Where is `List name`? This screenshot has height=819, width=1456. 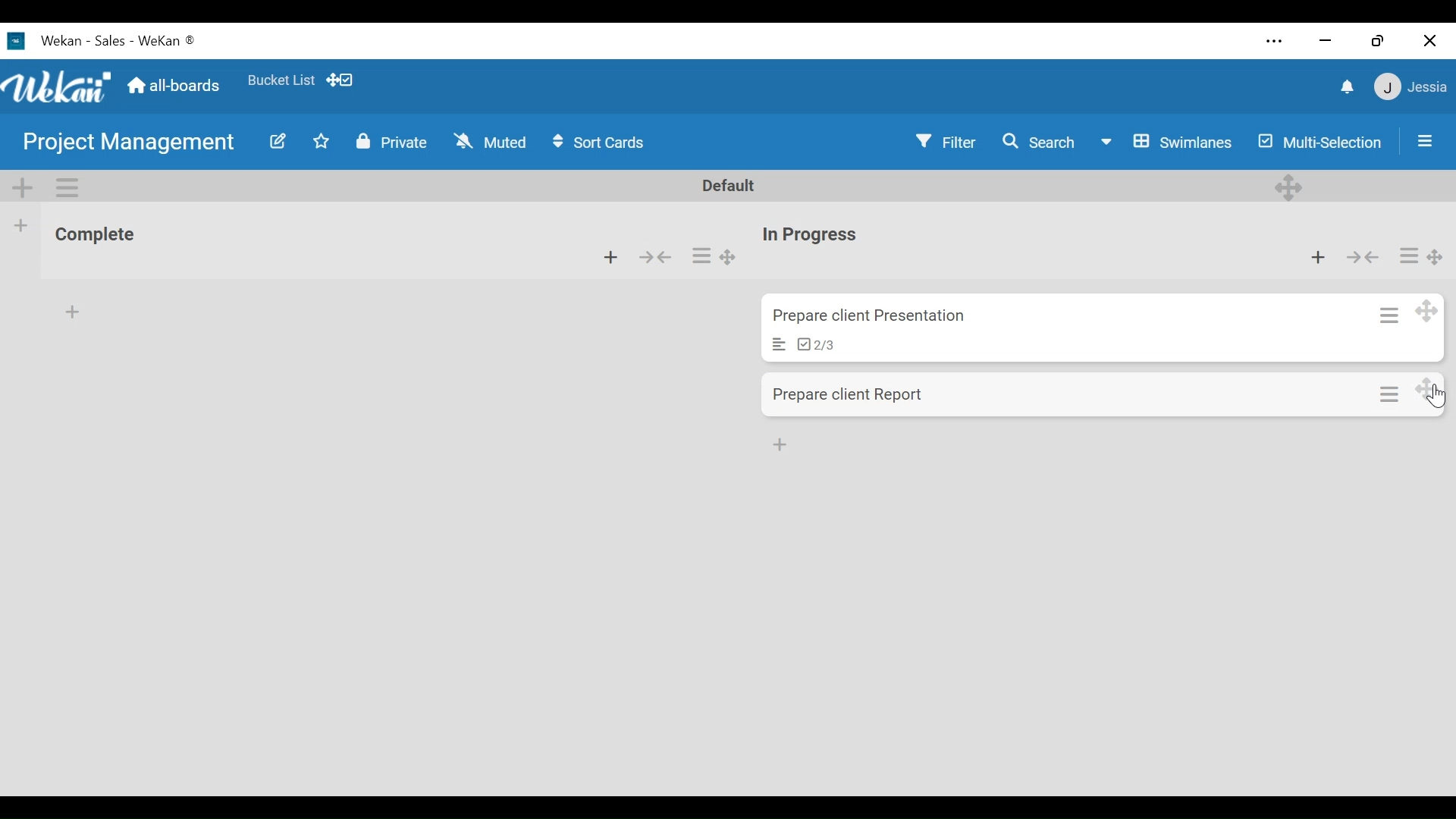 List name is located at coordinates (811, 236).